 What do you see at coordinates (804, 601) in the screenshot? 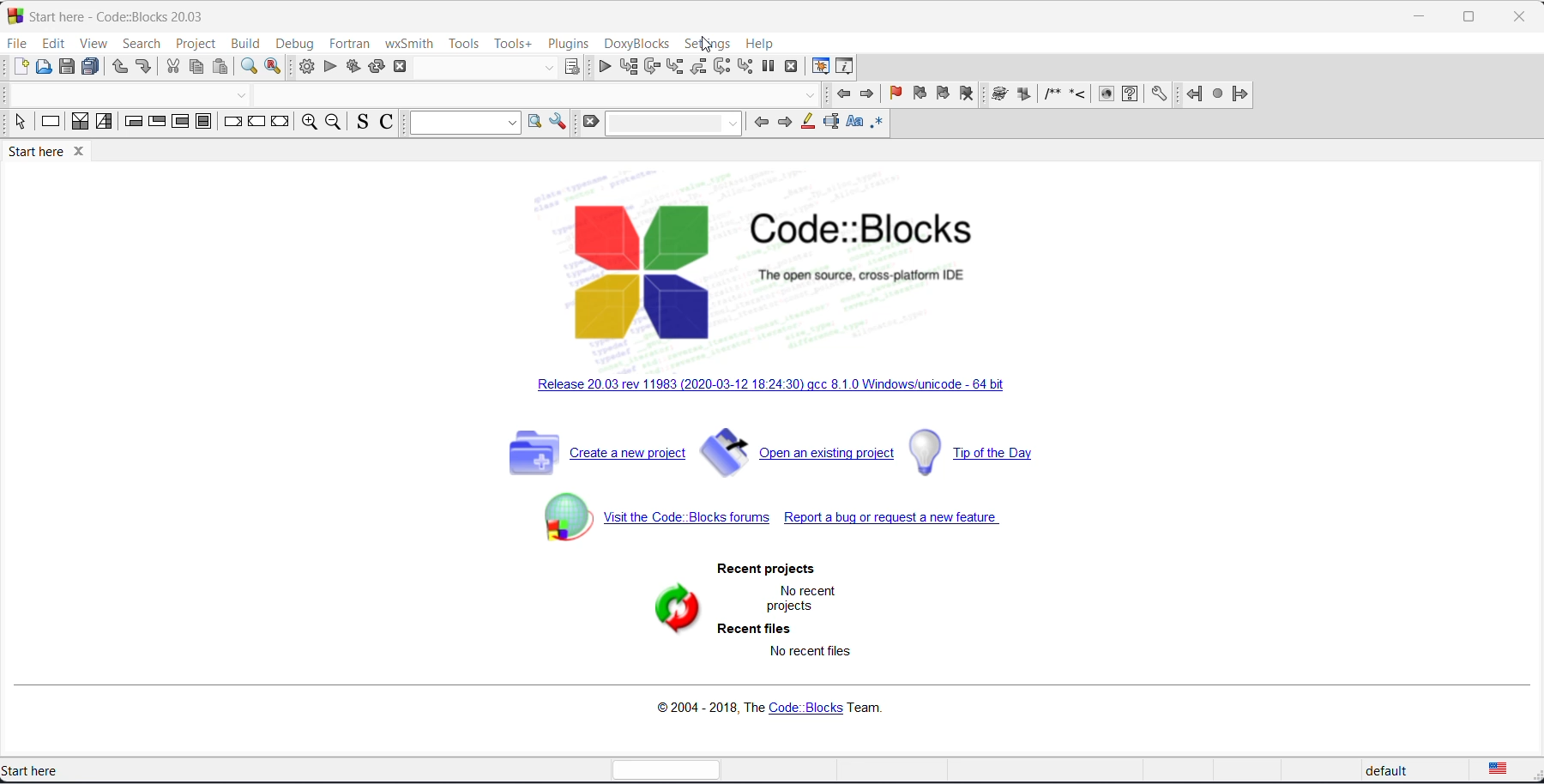
I see `no recent projects` at bounding box center [804, 601].